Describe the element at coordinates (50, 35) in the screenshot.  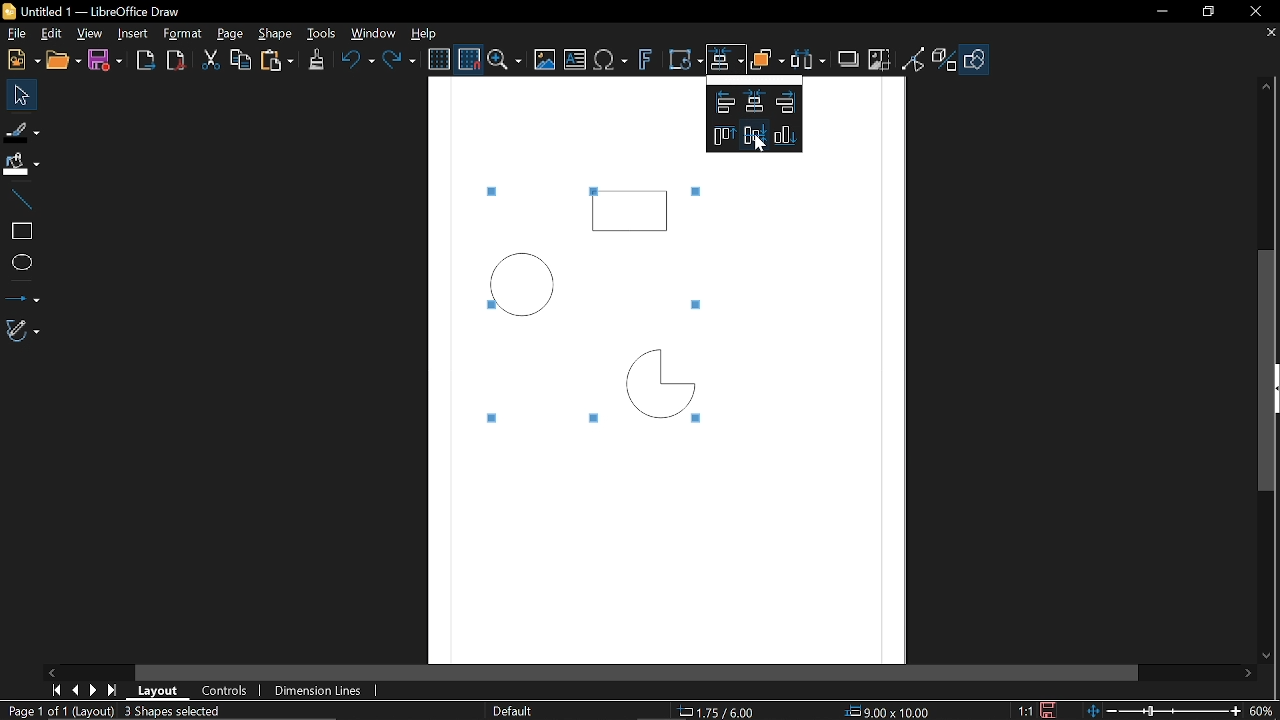
I see `Edit` at that location.